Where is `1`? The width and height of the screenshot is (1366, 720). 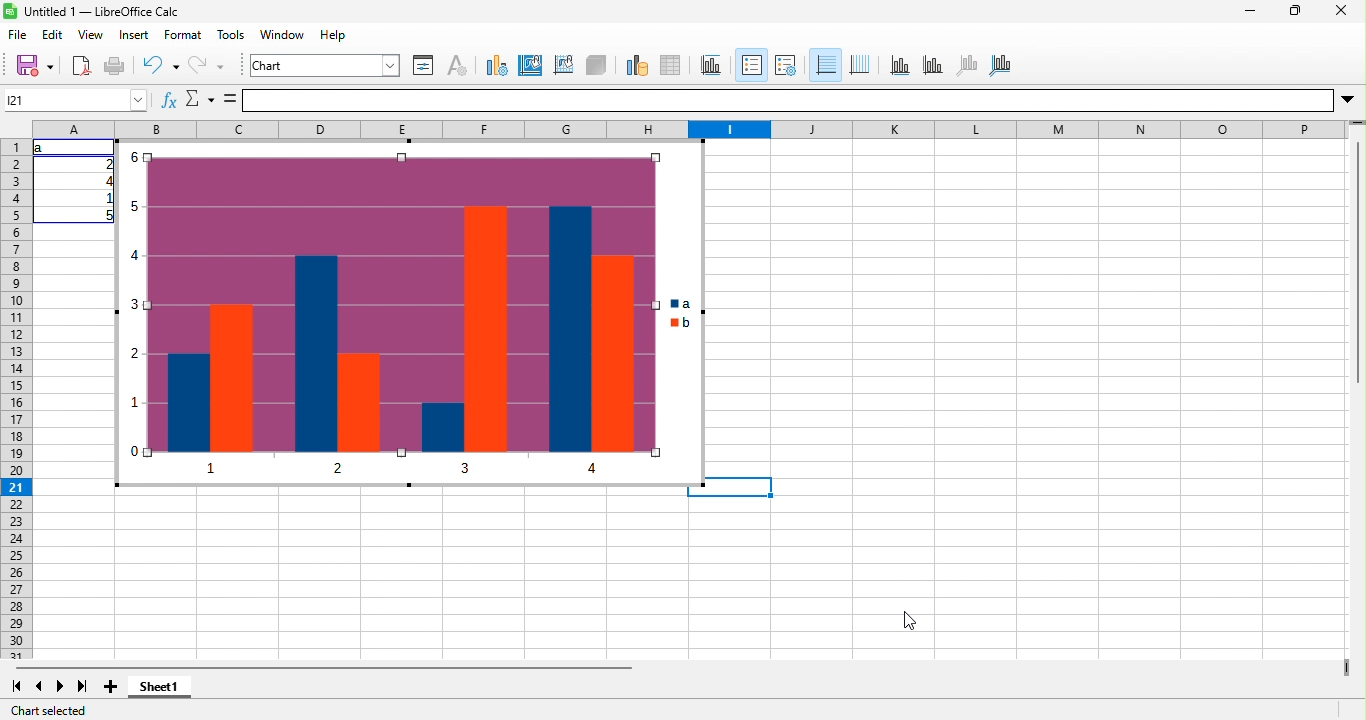
1 is located at coordinates (106, 198).